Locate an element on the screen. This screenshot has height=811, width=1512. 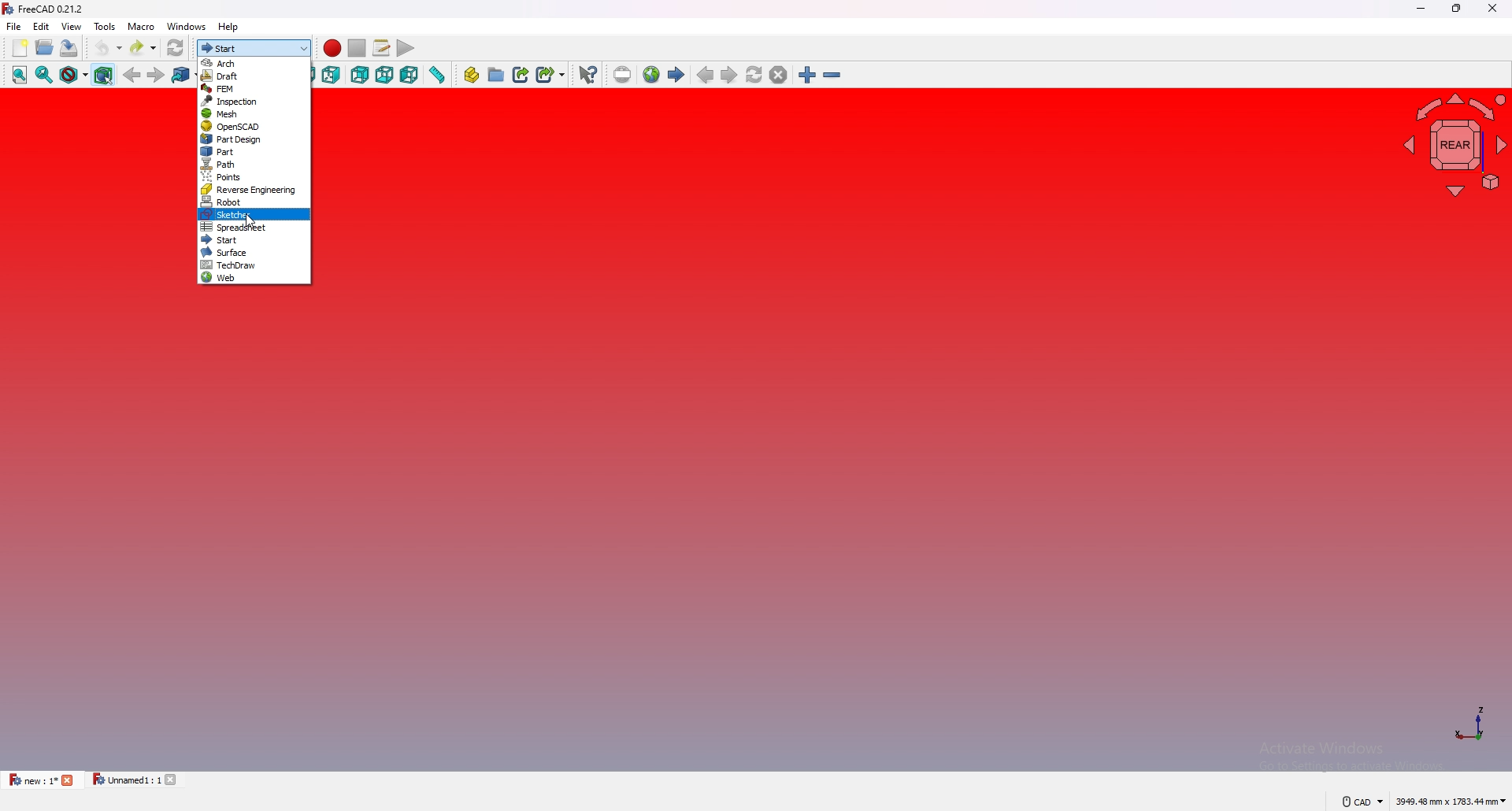
left is located at coordinates (410, 75).